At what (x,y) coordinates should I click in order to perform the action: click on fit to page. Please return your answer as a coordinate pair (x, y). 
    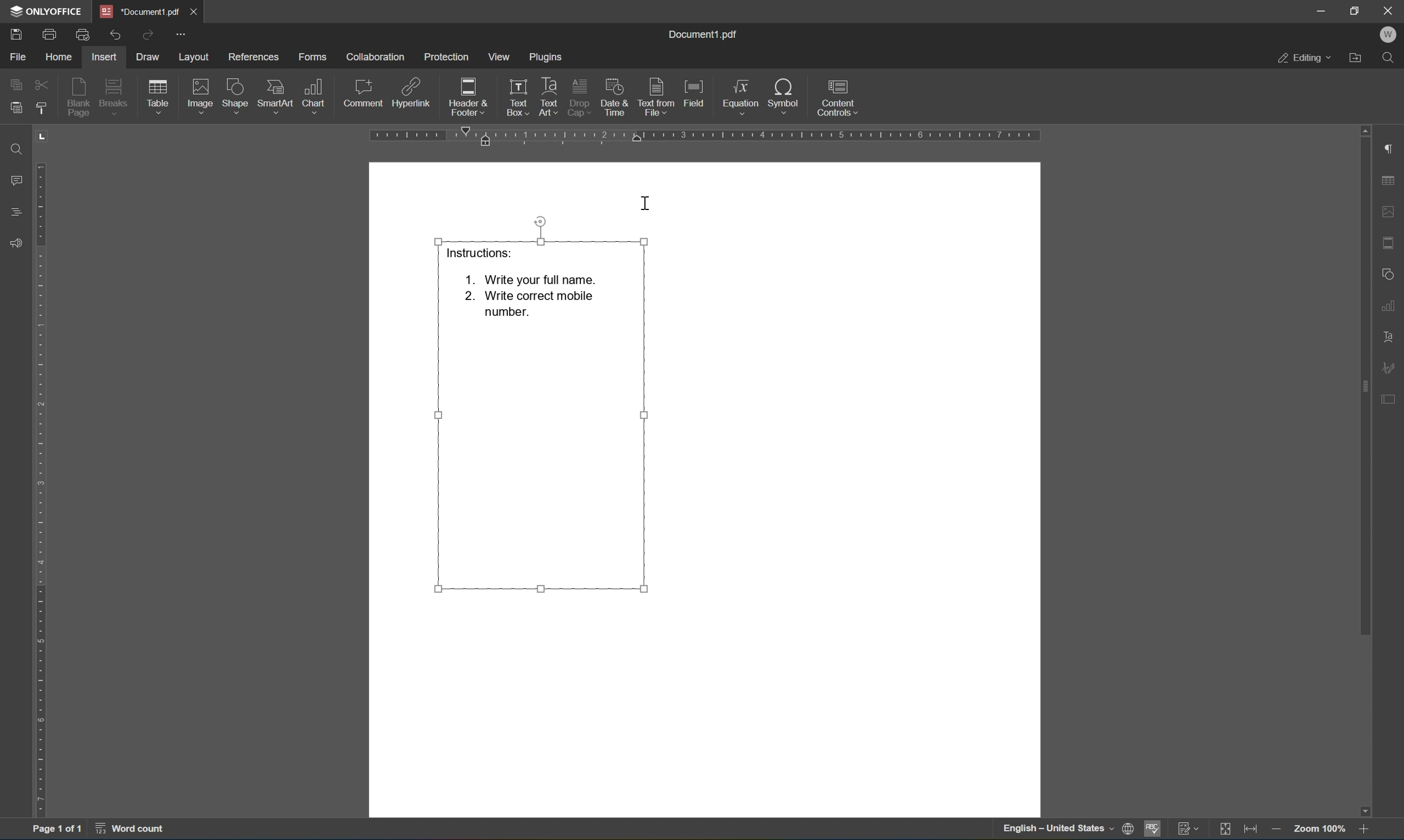
    Looking at the image, I should click on (1225, 830).